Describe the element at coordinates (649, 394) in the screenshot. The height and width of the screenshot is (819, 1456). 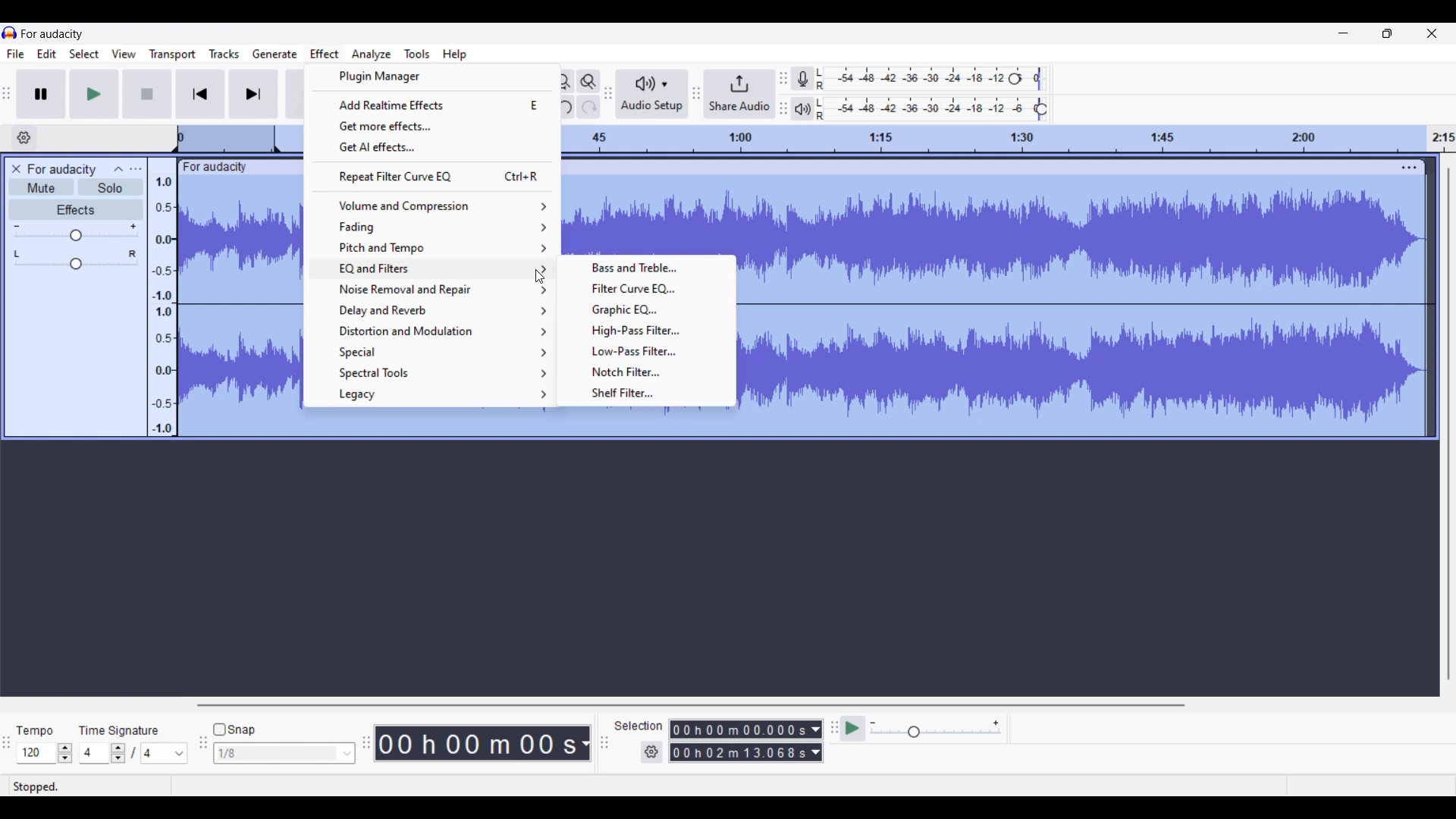
I see `Shelf filter` at that location.